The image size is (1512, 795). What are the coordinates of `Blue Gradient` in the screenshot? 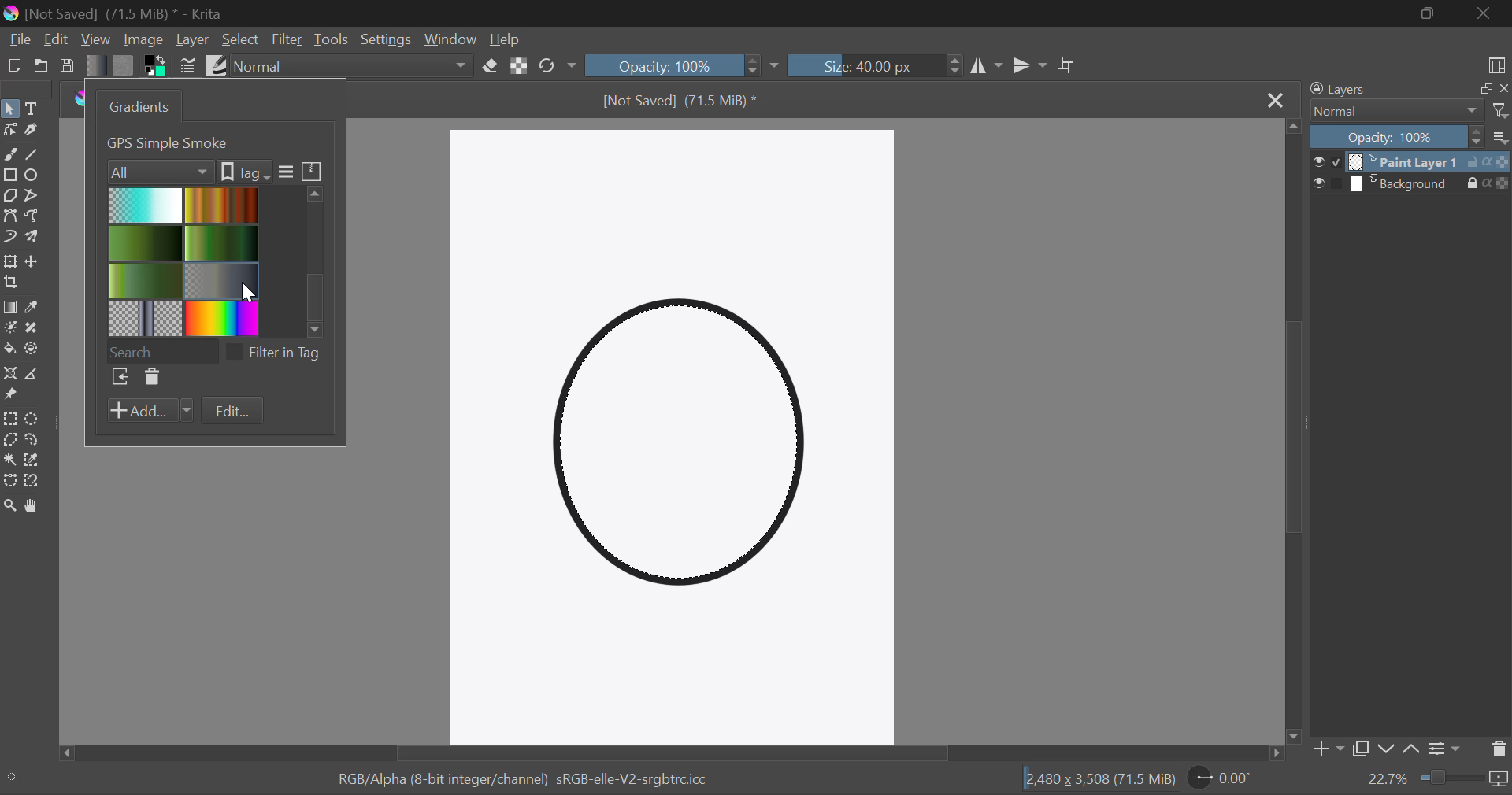 It's located at (146, 206).